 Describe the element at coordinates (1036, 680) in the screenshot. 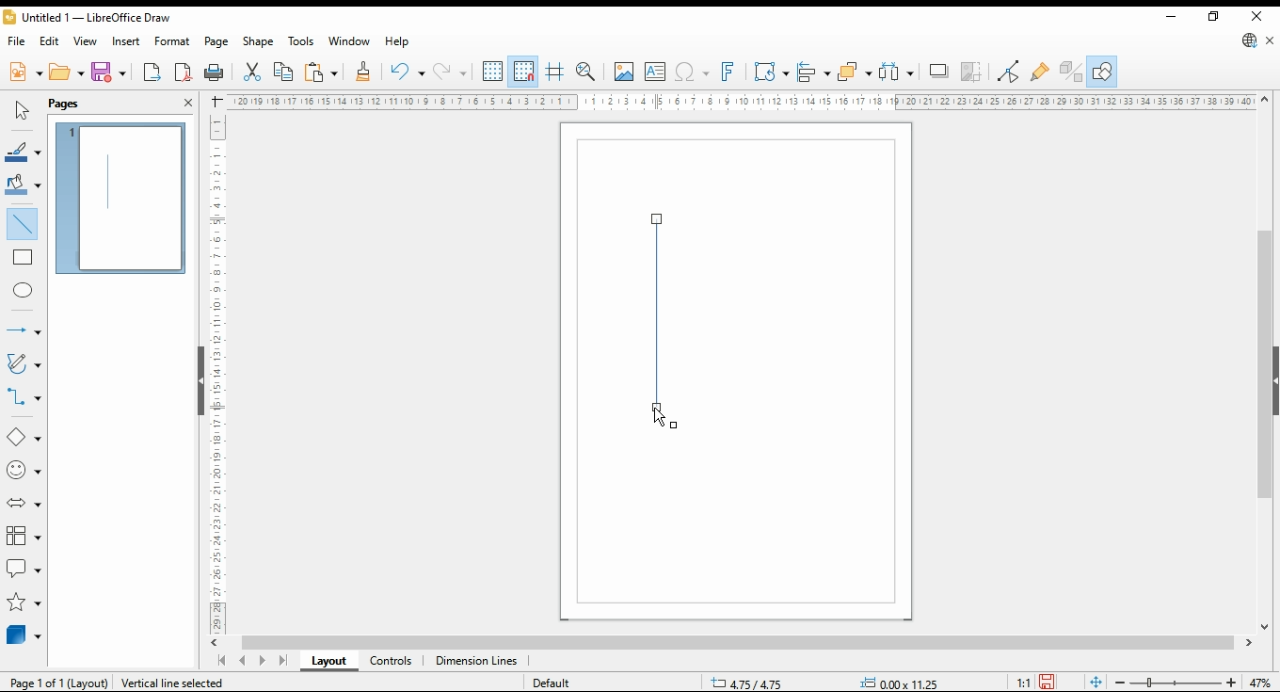

I see `1:1 ratio` at that location.